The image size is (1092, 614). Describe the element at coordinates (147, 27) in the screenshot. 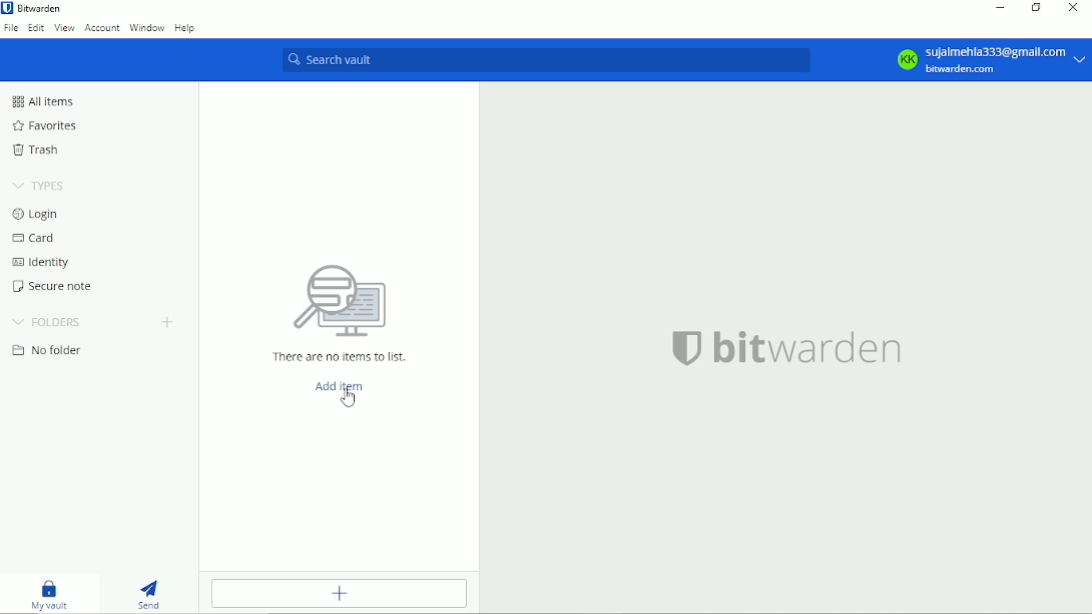

I see `Window` at that location.